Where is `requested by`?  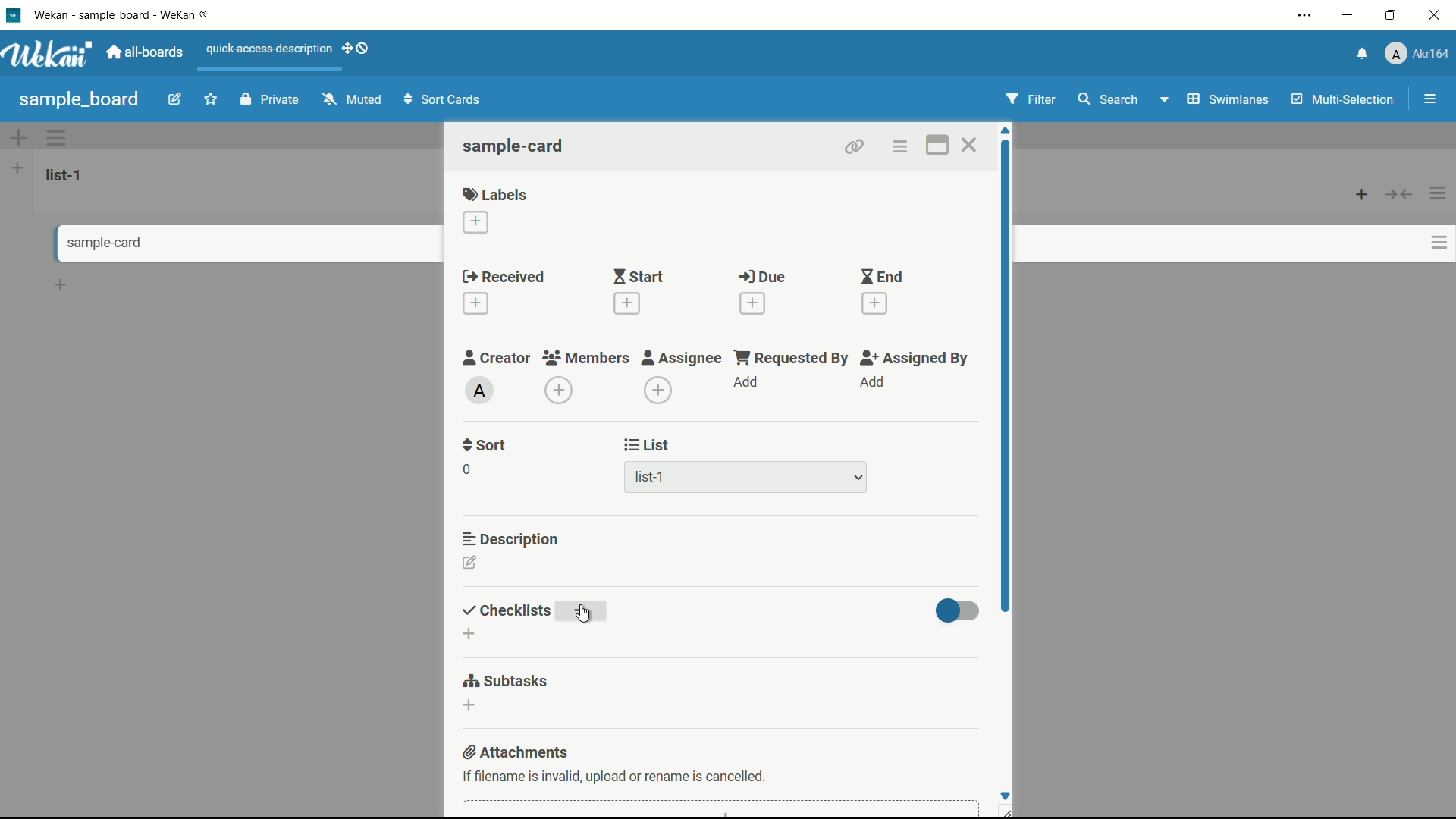
requested by is located at coordinates (792, 357).